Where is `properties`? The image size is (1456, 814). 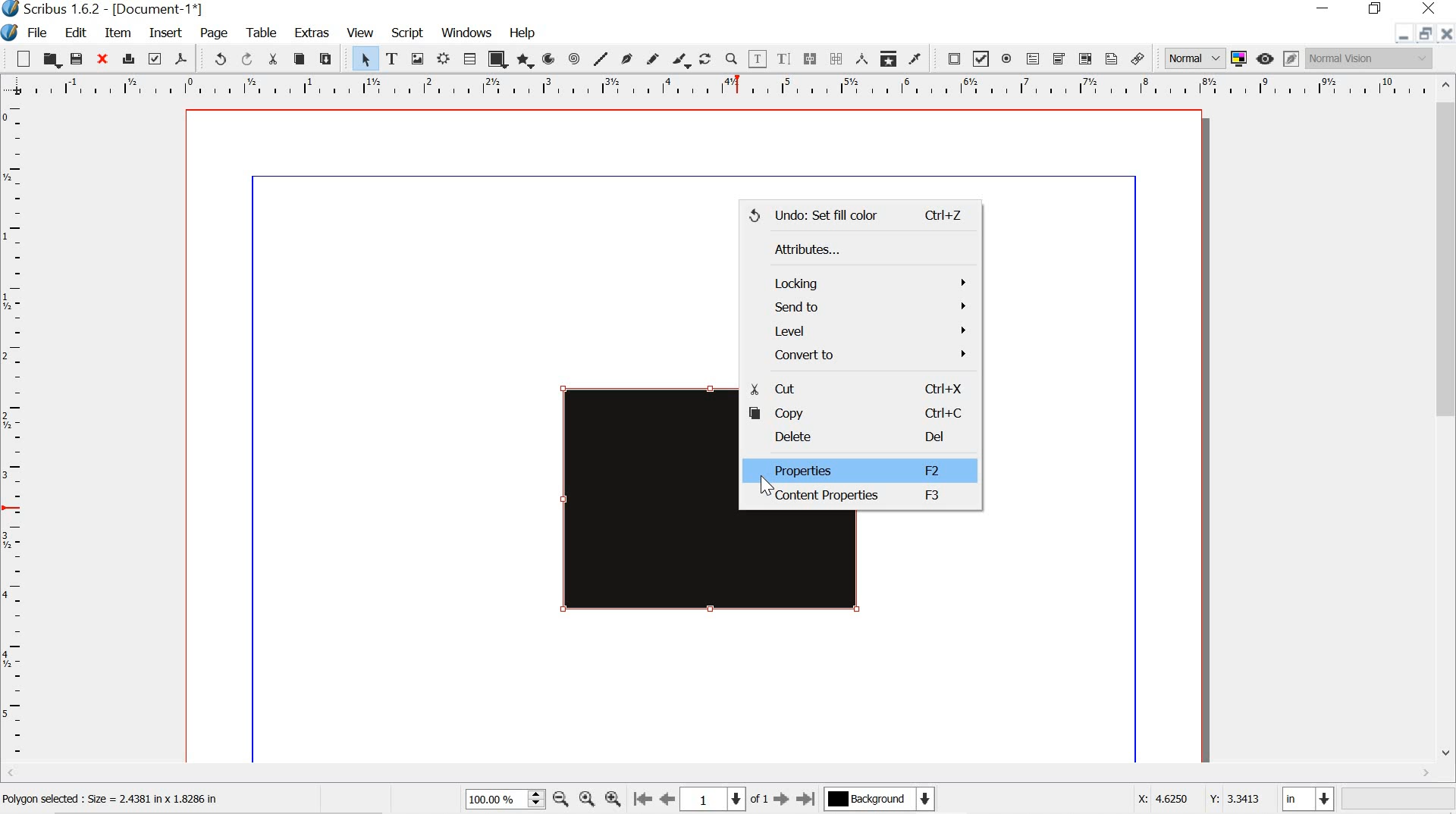
properties is located at coordinates (854, 469).